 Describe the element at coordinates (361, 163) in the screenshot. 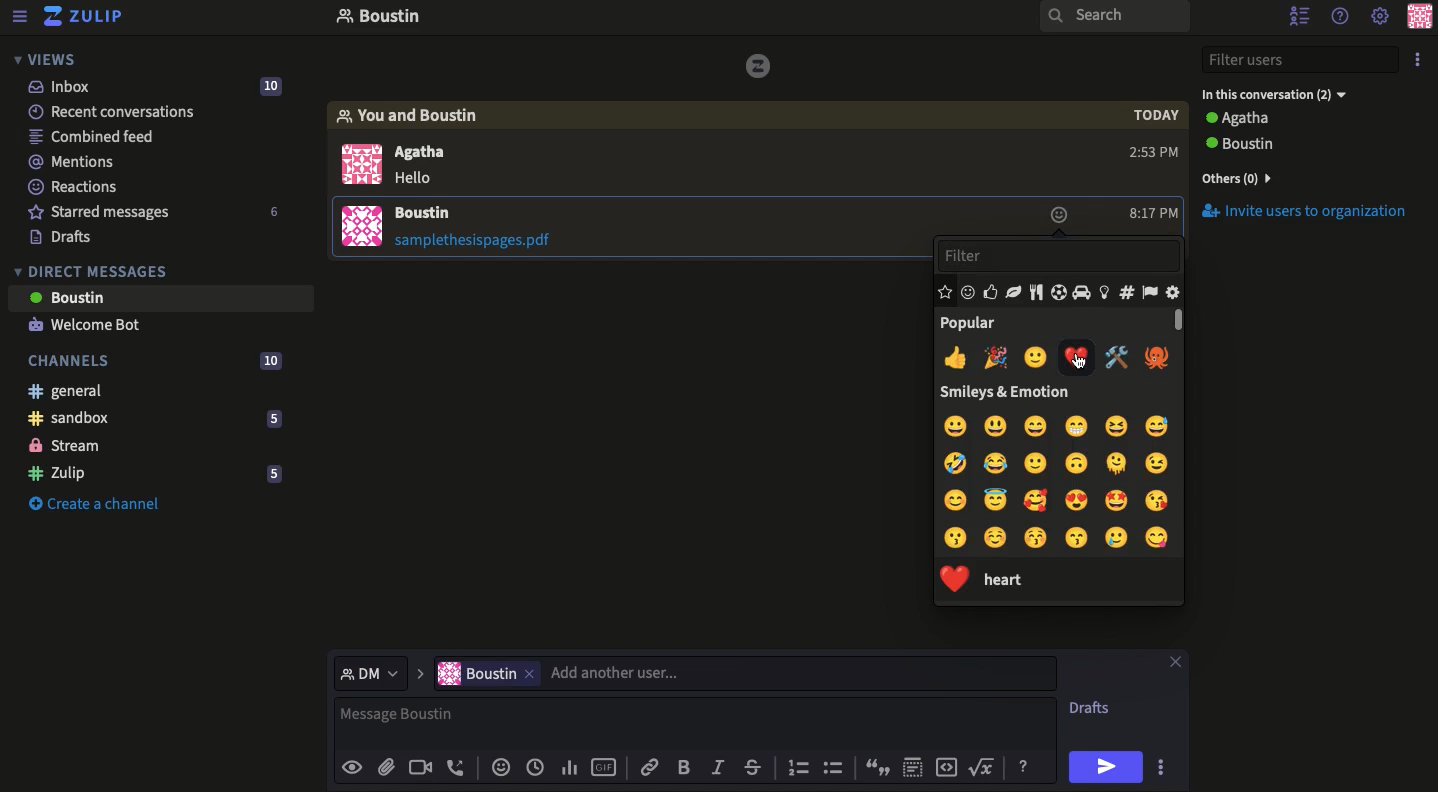

I see `display picture` at that location.